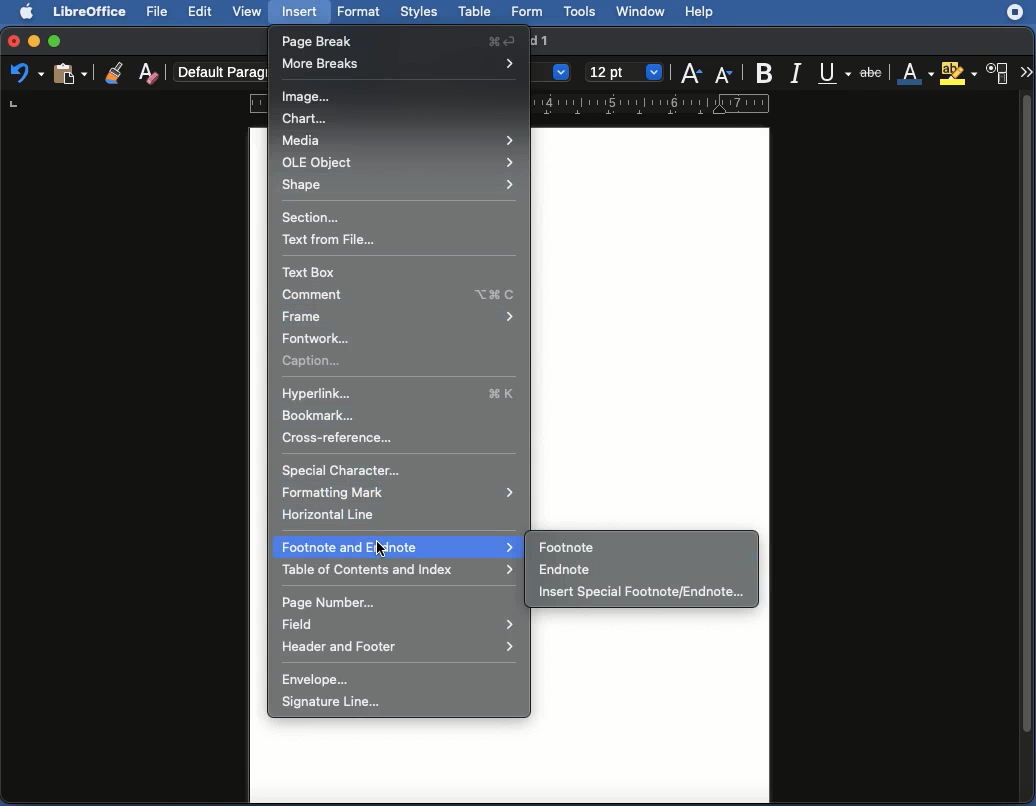 This screenshot has height=806, width=1036. What do you see at coordinates (726, 71) in the screenshot?
I see `Decrease size` at bounding box center [726, 71].